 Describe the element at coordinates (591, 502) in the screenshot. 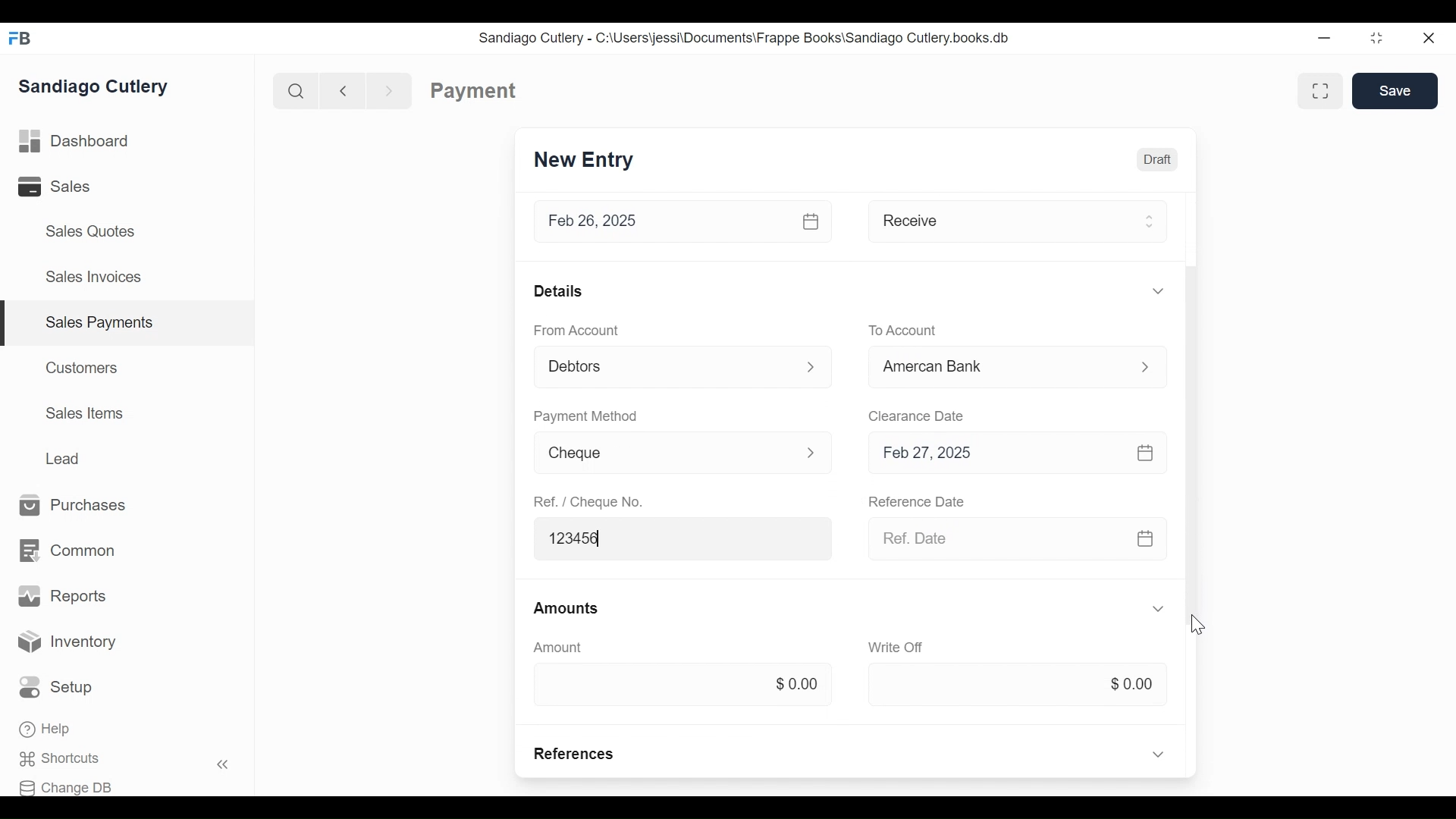

I see `Ref. / Cheque No.` at that location.